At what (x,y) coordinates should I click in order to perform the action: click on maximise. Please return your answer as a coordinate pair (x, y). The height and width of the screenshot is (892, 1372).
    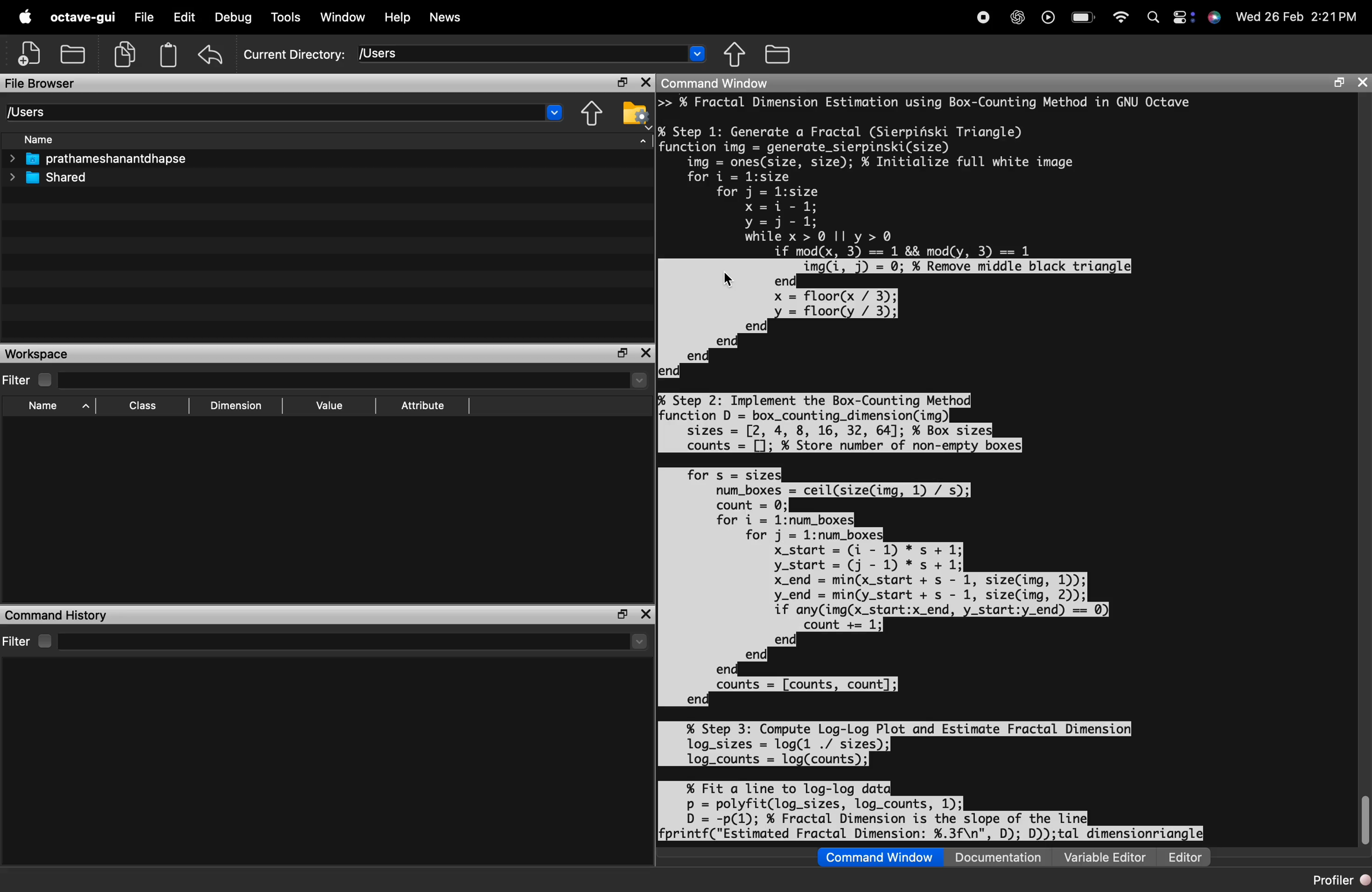
    Looking at the image, I should click on (615, 80).